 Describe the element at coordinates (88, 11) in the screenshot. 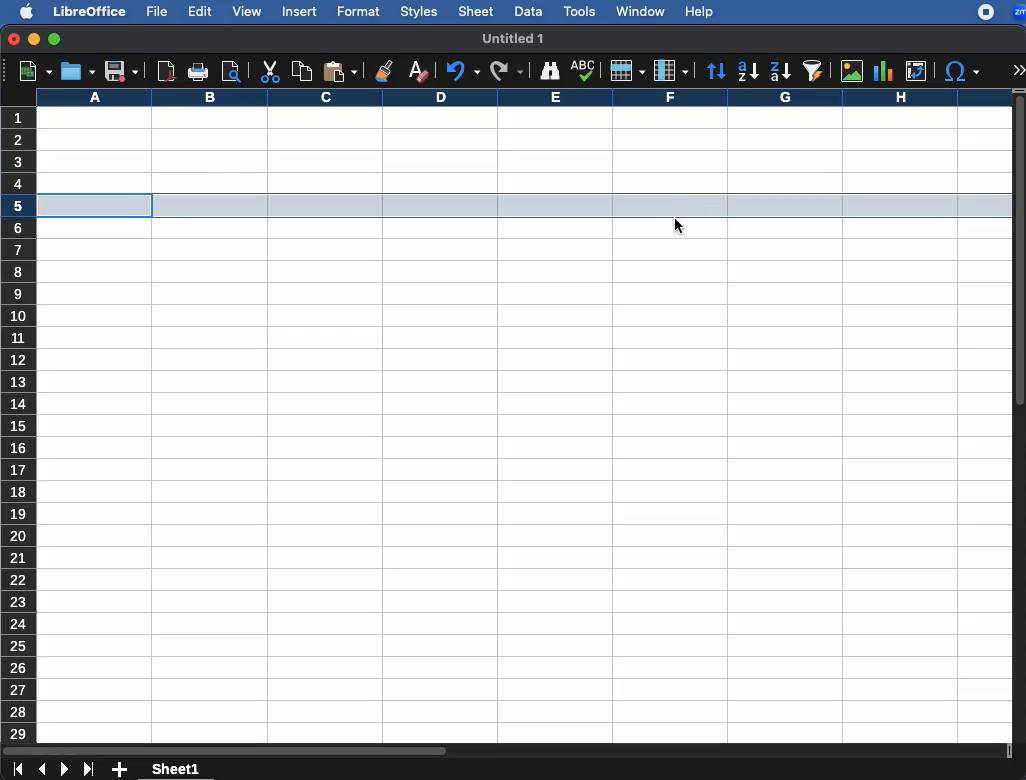

I see `libreoffice` at that location.